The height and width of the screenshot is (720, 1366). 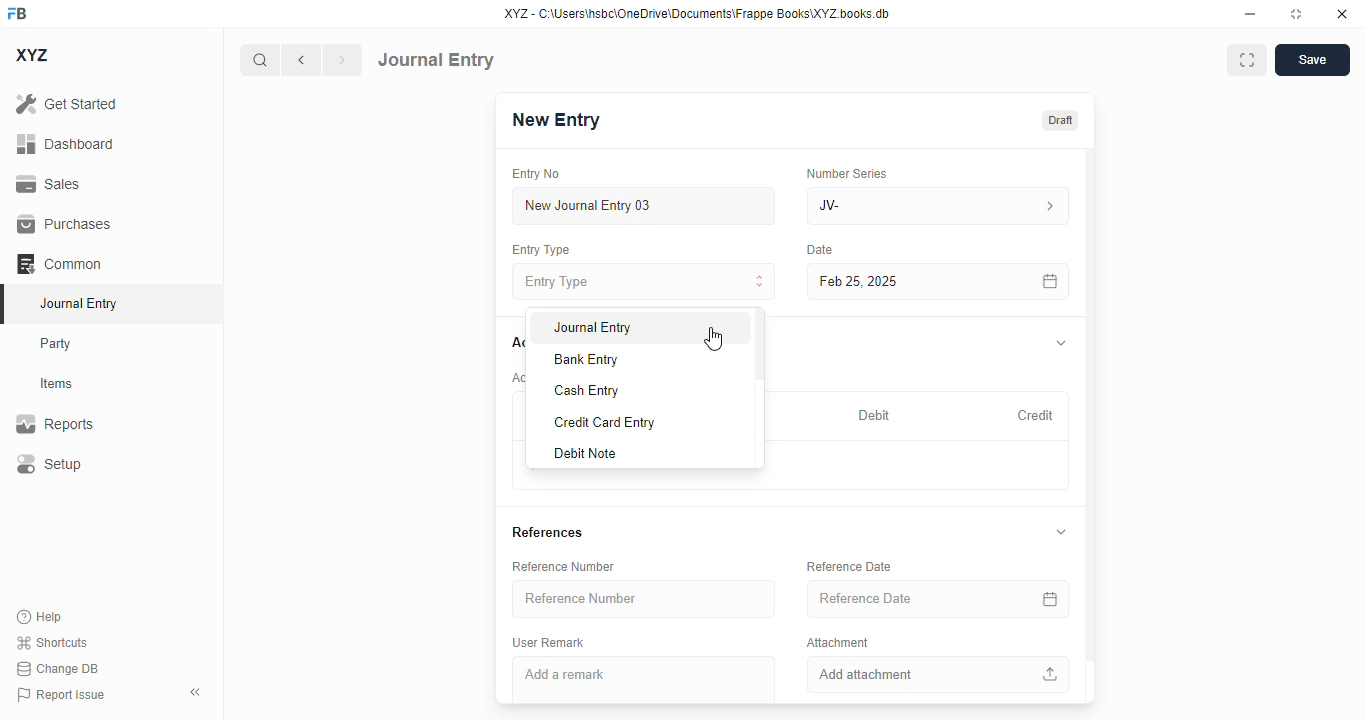 What do you see at coordinates (563, 566) in the screenshot?
I see `reference number` at bounding box center [563, 566].